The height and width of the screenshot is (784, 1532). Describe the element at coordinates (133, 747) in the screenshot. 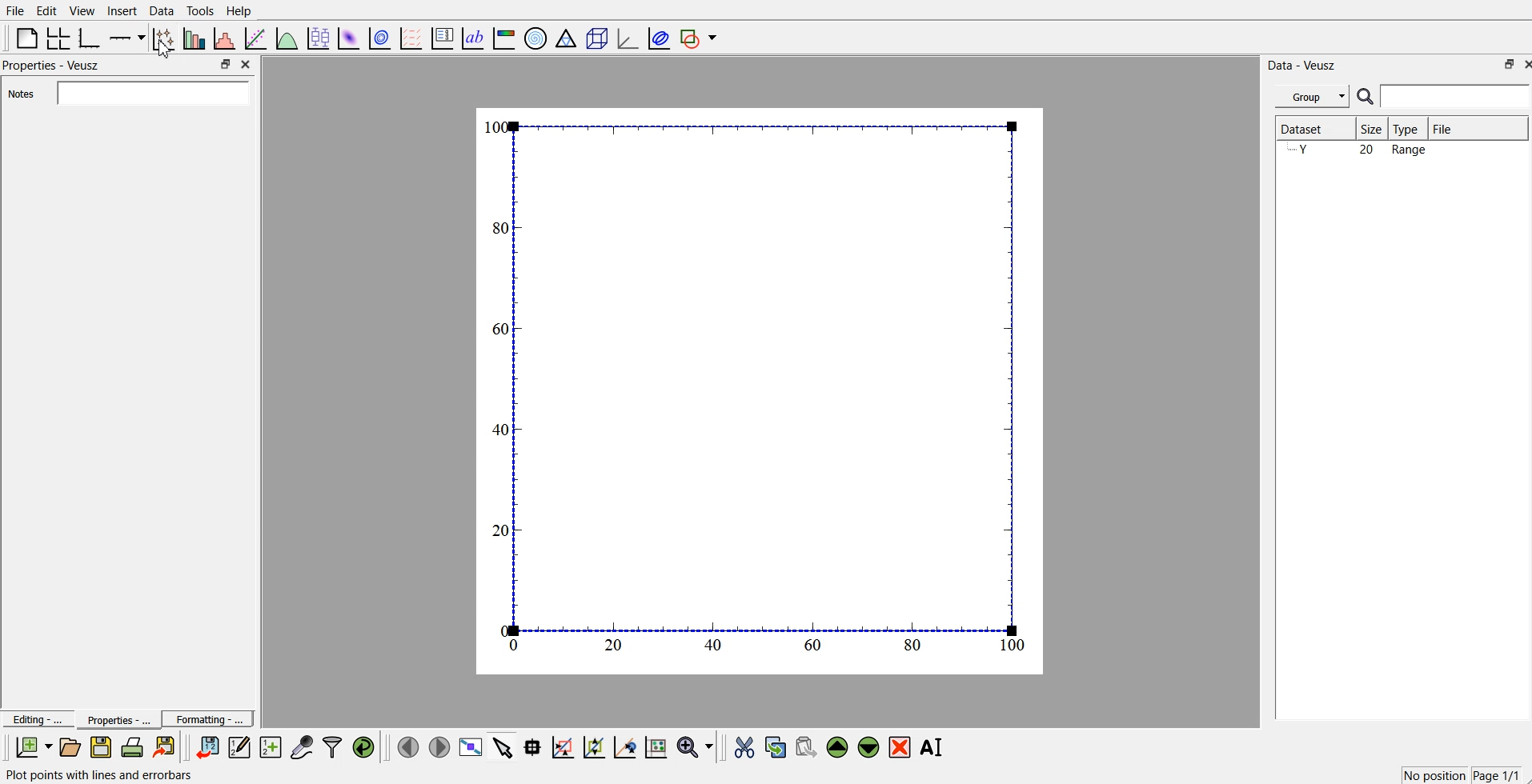

I see `Print` at that location.